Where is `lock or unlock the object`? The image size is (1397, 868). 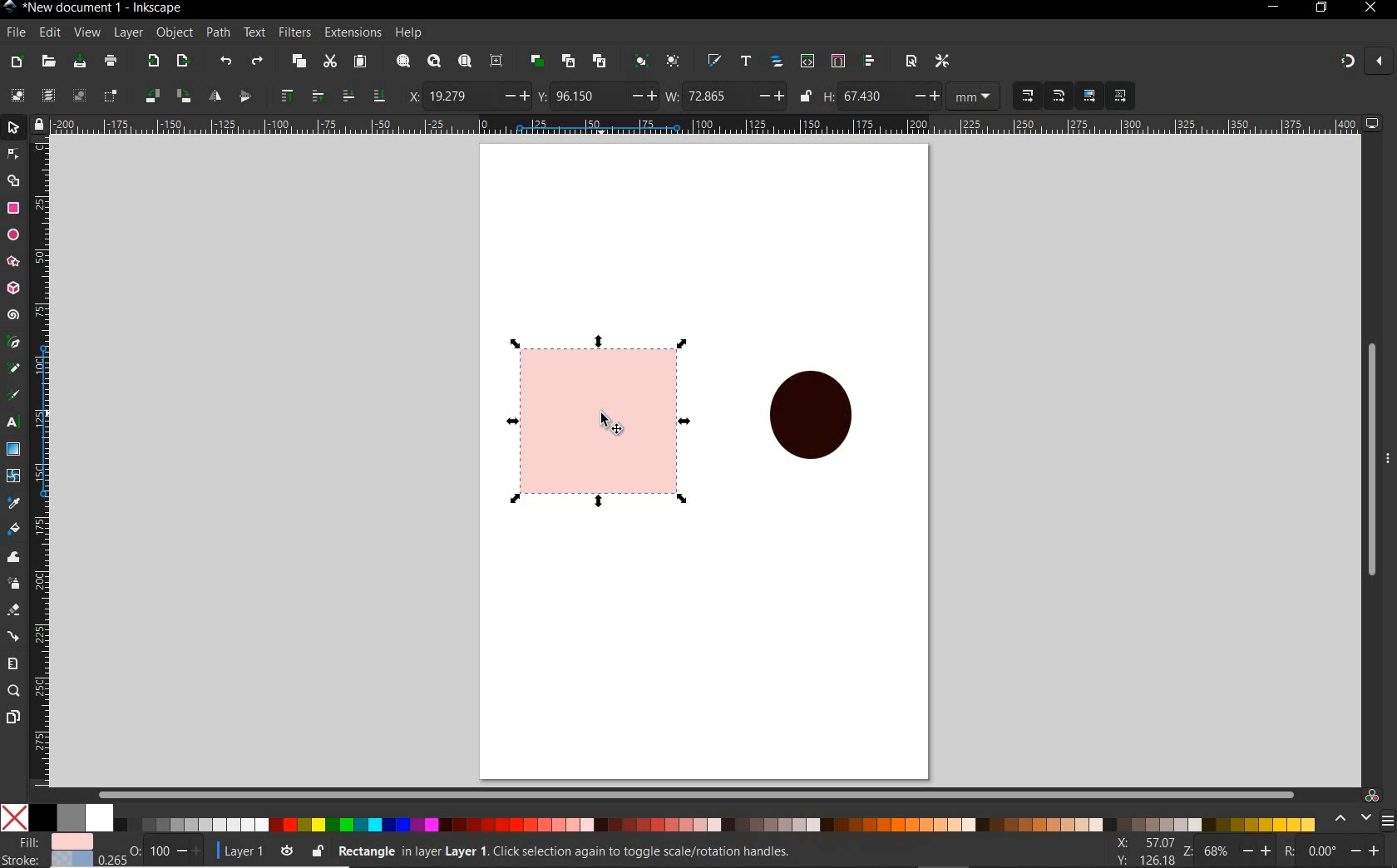
lock or unlock the object is located at coordinates (318, 851).